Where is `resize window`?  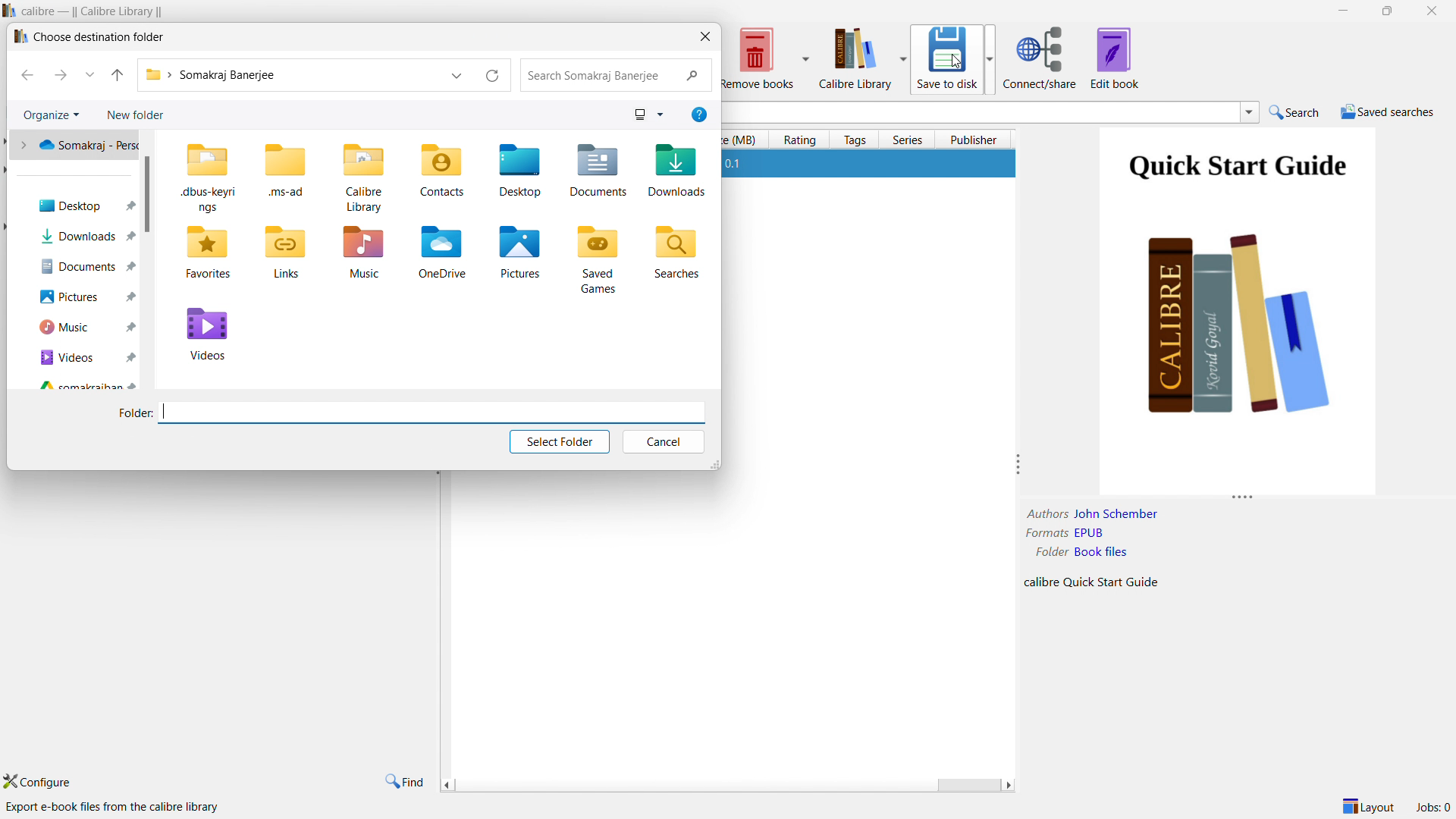 resize window is located at coordinates (712, 464).